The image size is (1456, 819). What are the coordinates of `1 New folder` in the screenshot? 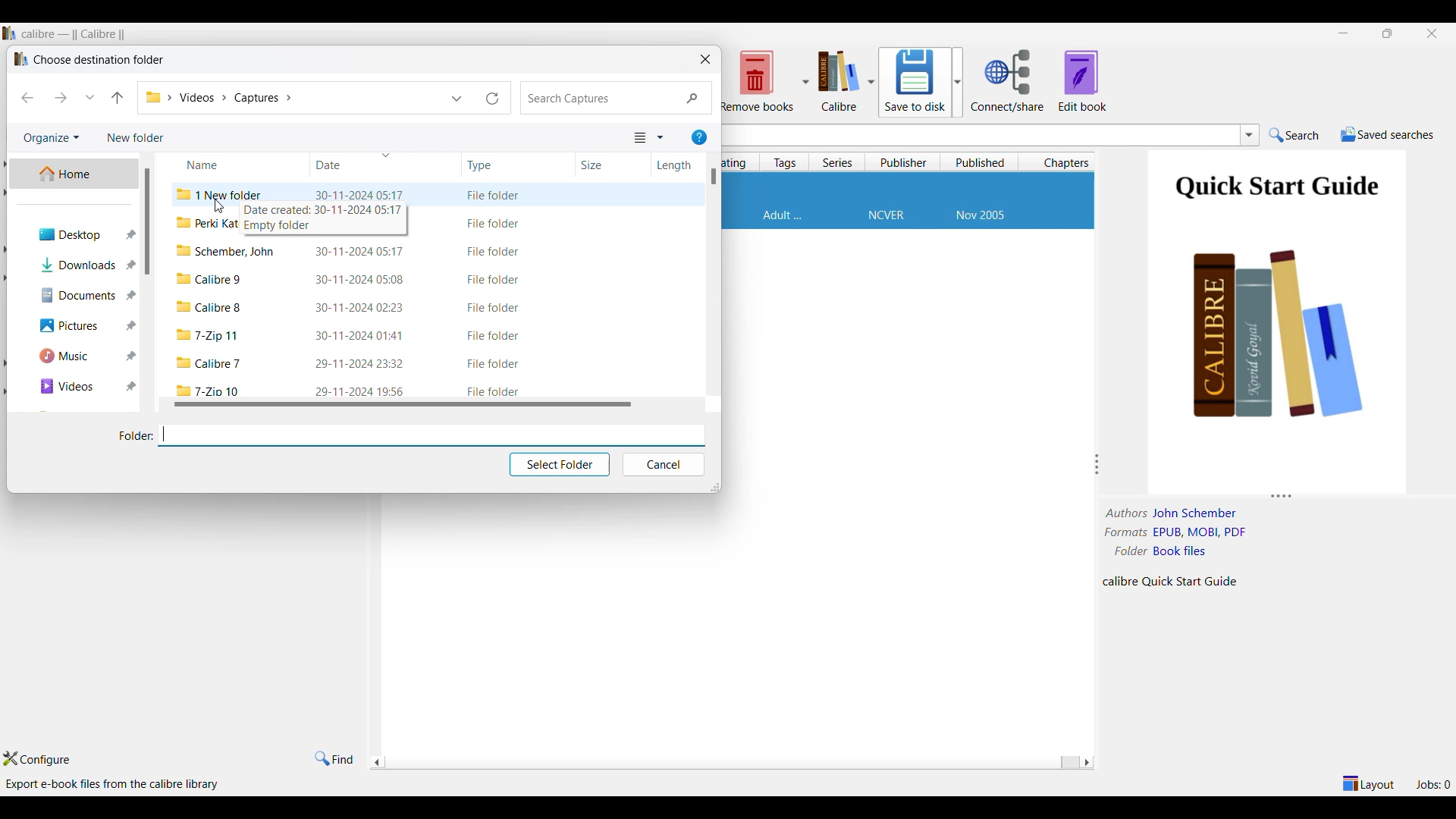 It's located at (223, 193).